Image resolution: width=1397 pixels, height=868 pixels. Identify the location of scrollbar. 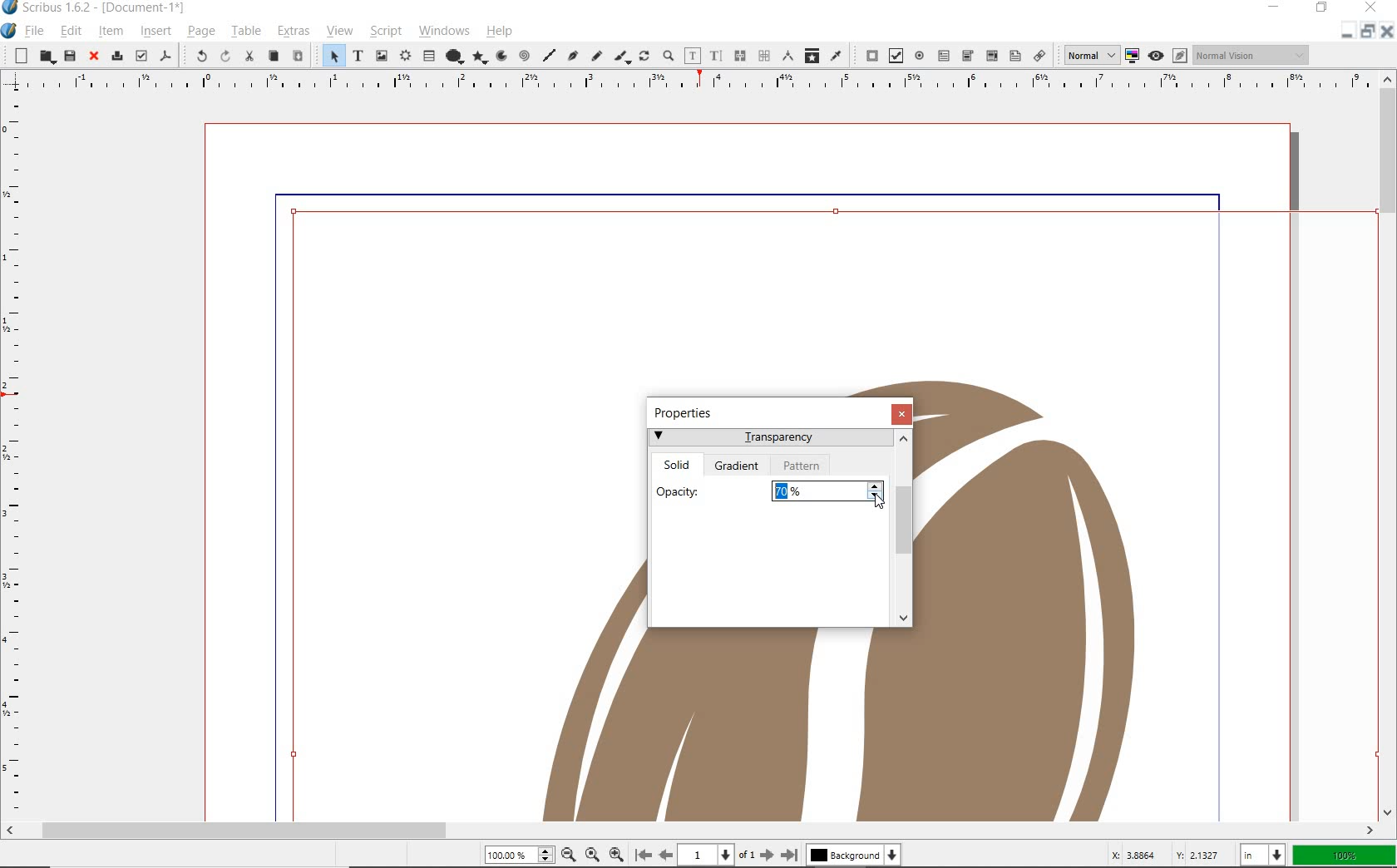
(690, 832).